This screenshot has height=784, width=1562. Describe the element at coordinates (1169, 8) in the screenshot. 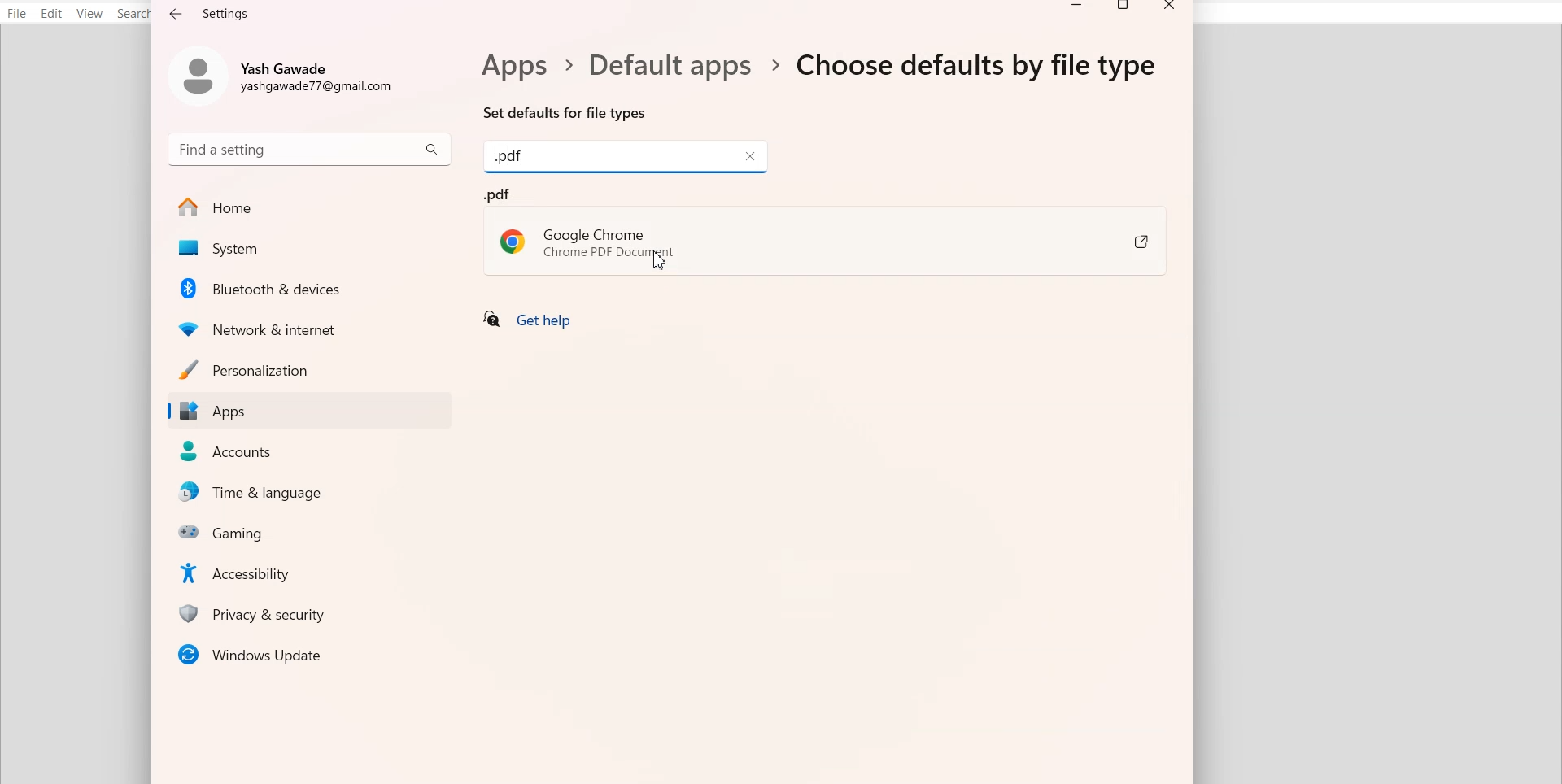

I see `Close` at that location.